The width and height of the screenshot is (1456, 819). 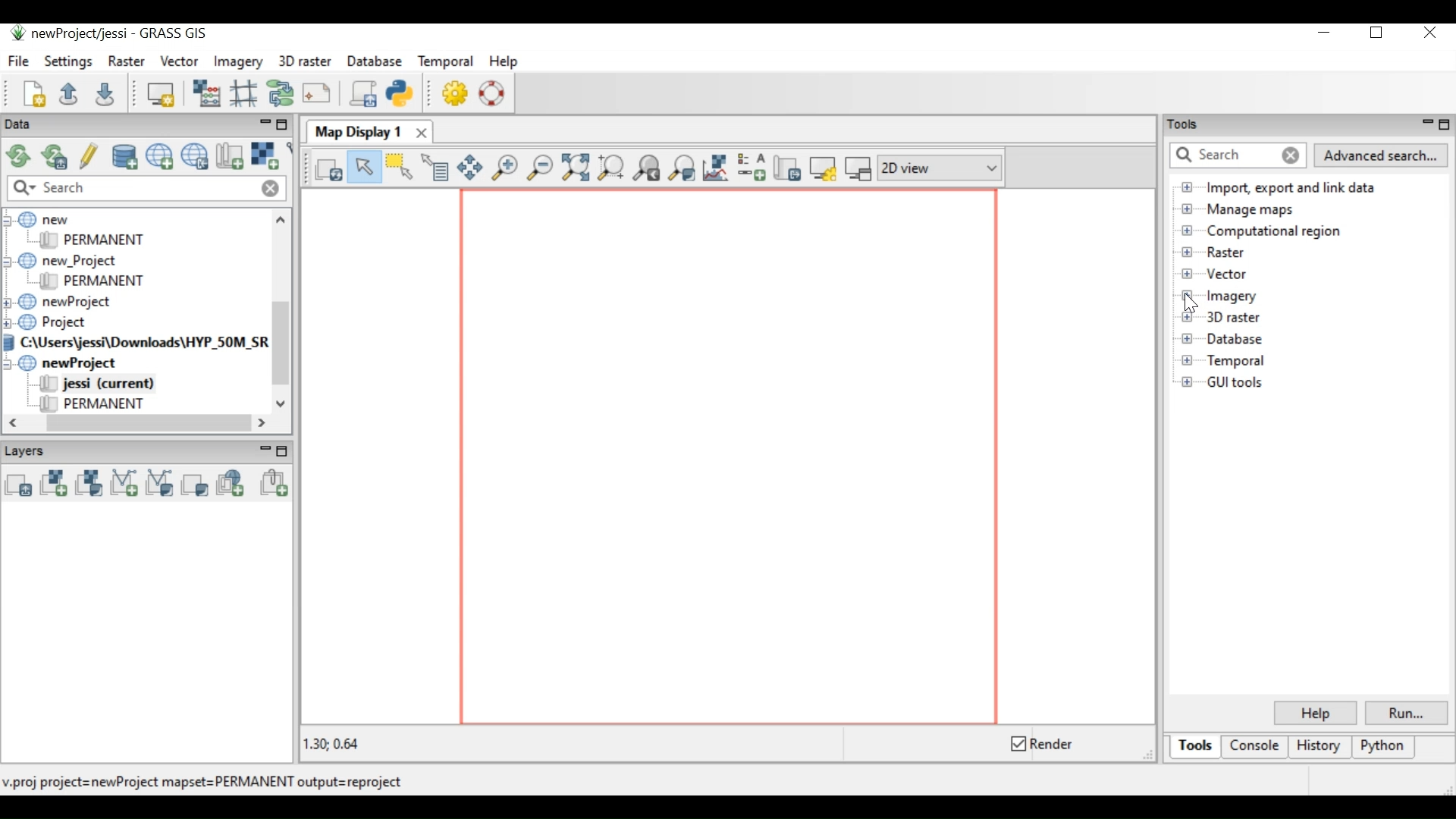 I want to click on Scroll right, so click(x=265, y=425).